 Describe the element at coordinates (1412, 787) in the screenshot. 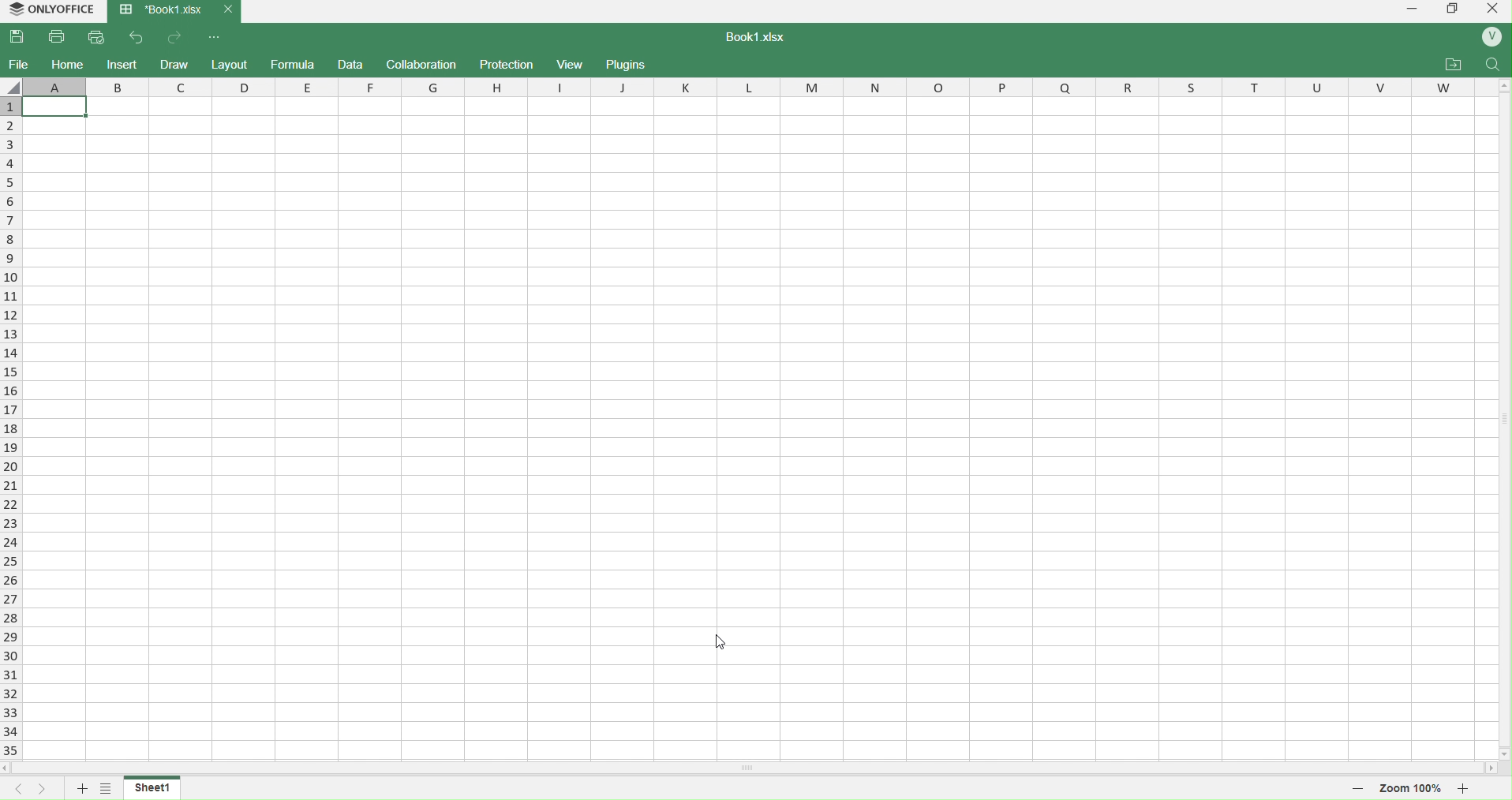

I see `zoom 100%` at that location.